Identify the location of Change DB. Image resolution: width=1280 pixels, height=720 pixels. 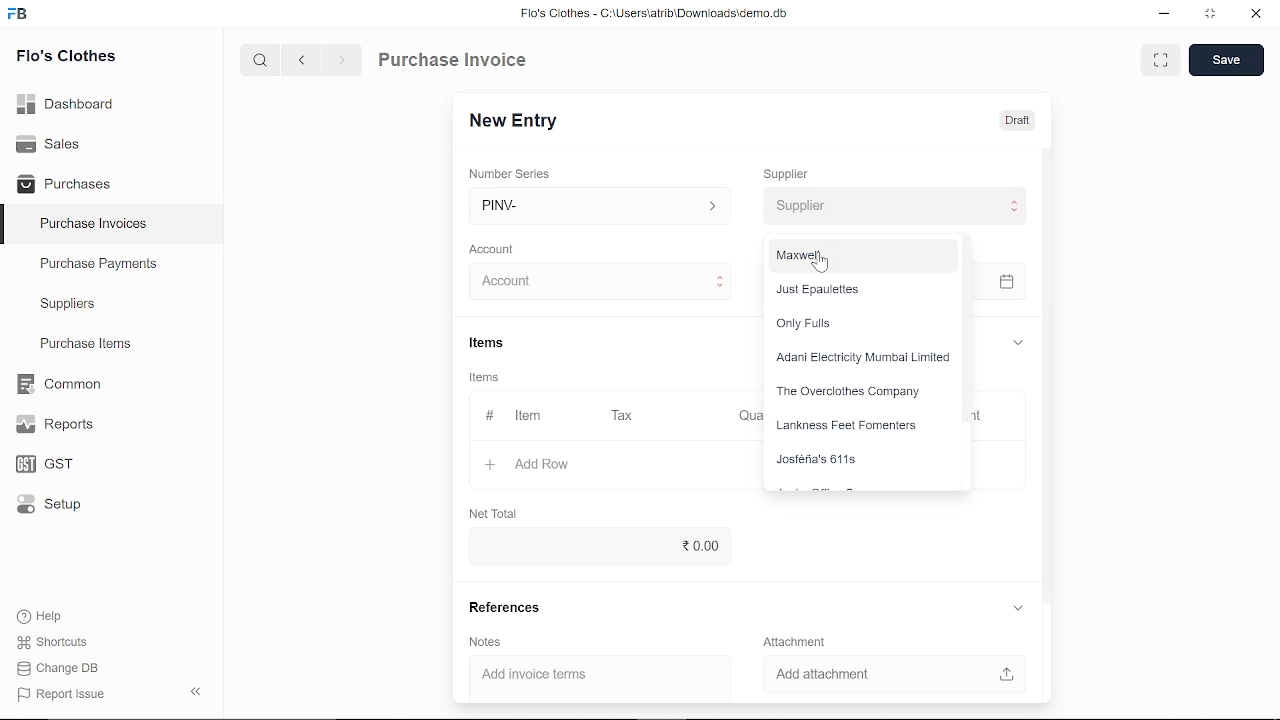
(58, 670).